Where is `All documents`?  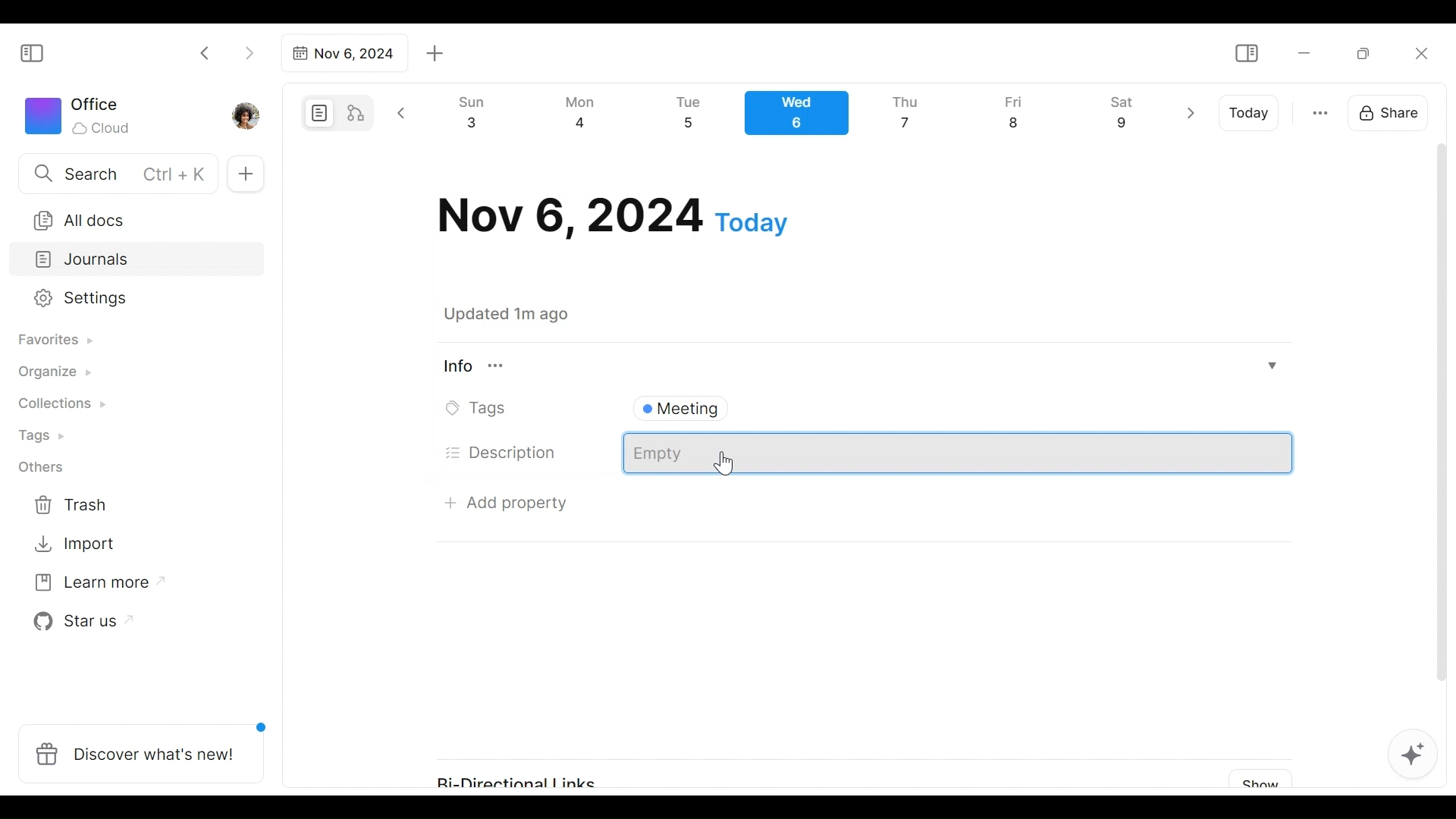 All documents is located at coordinates (131, 218).